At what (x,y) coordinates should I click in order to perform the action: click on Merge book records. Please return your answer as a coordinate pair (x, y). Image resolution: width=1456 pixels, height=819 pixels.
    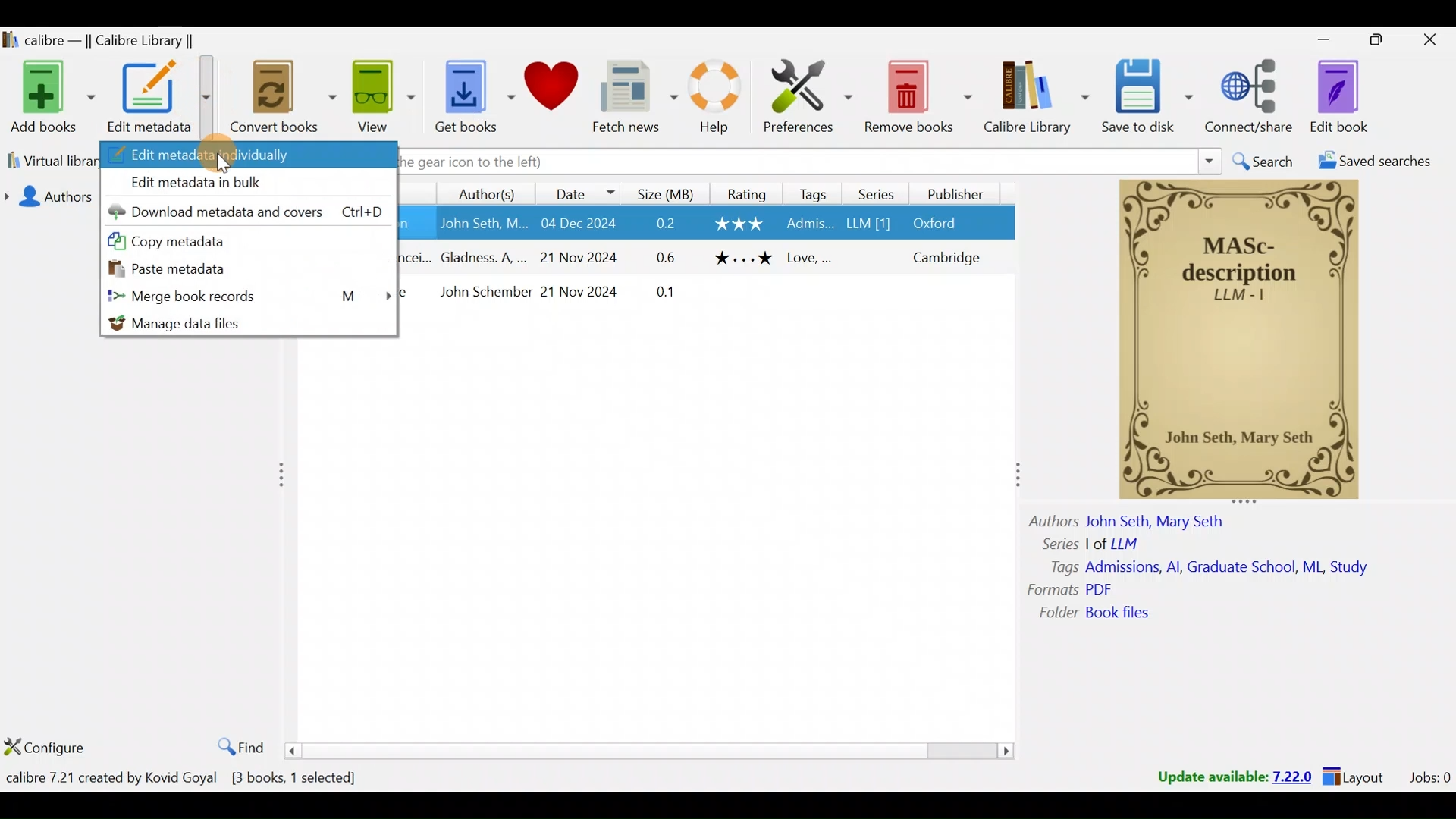
    Looking at the image, I should click on (243, 297).